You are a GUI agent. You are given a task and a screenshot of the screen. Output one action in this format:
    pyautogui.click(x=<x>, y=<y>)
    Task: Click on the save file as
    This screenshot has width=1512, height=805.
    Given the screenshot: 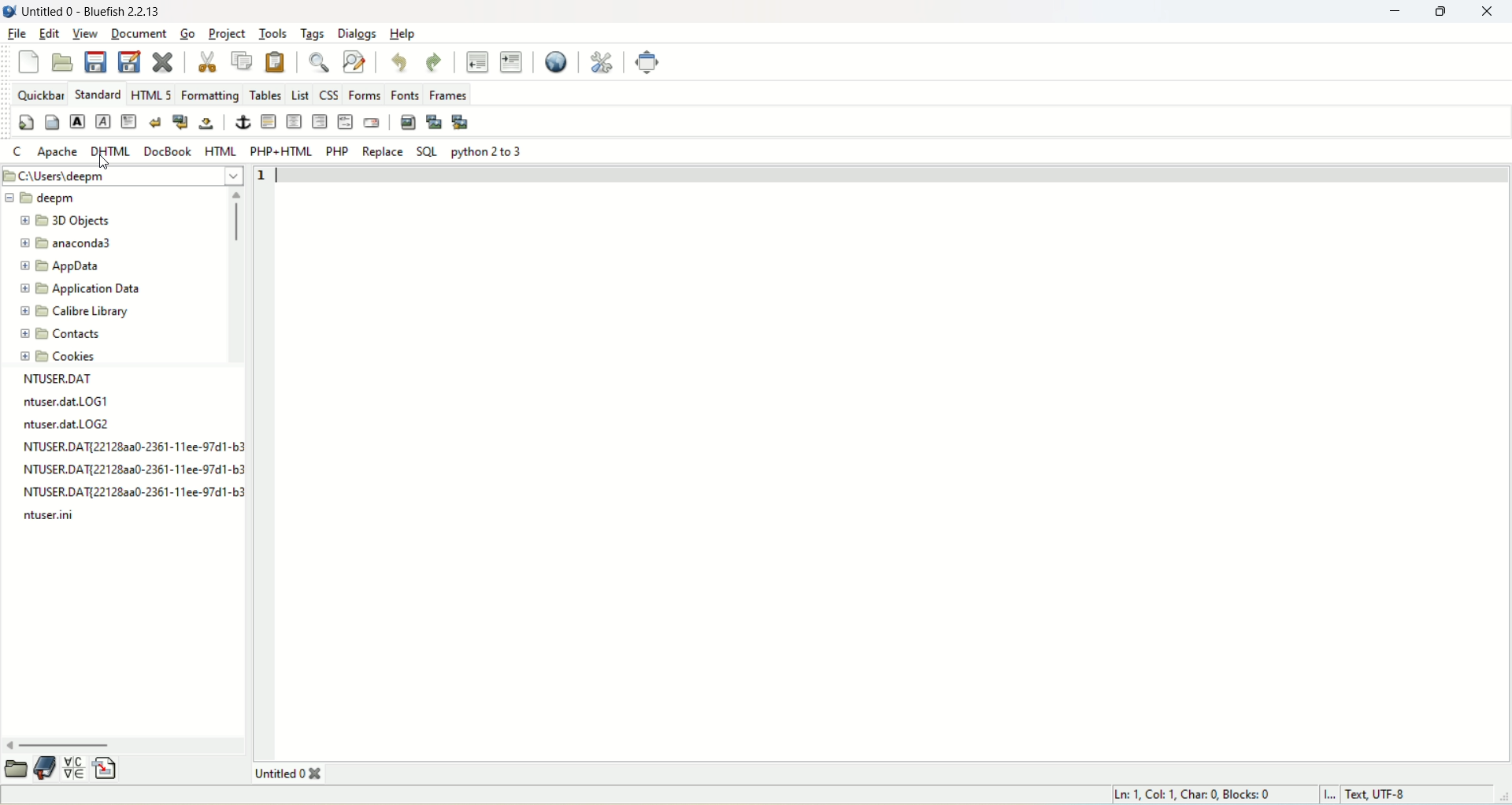 What is the action you would take?
    pyautogui.click(x=128, y=62)
    